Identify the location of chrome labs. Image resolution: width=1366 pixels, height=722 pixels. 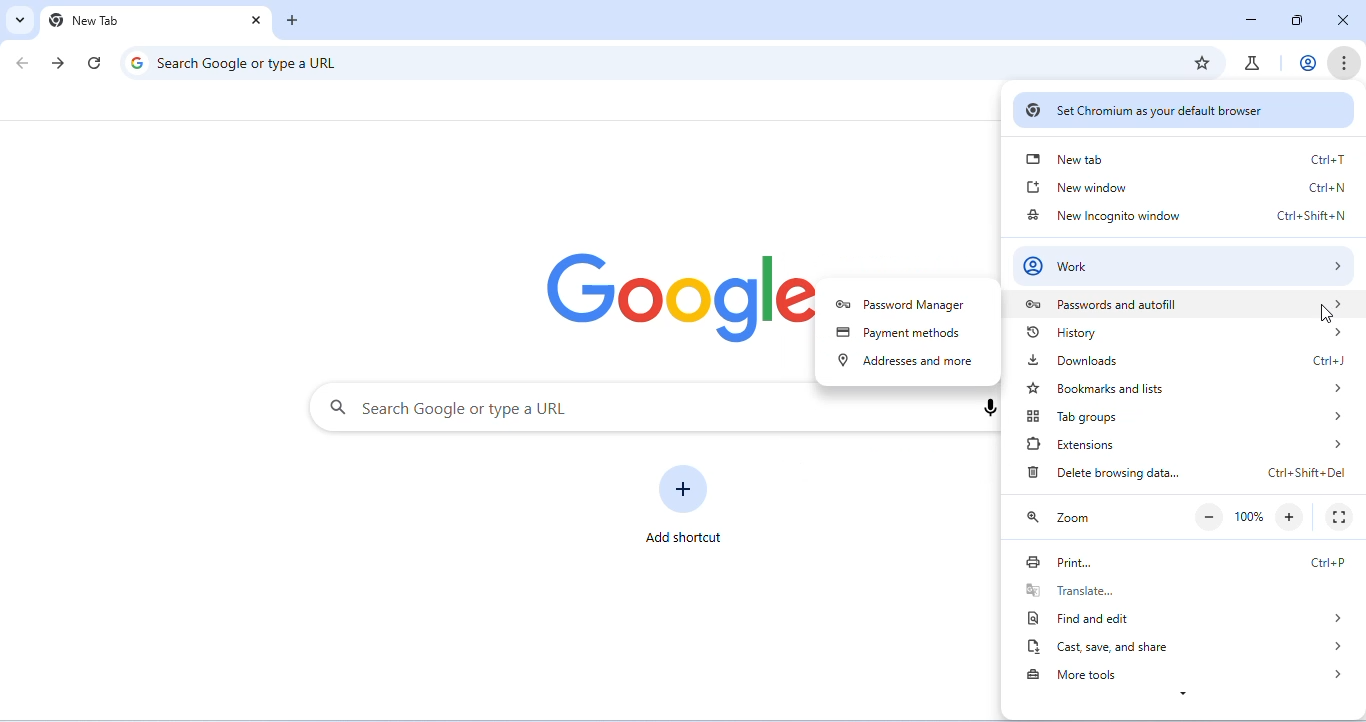
(1254, 63).